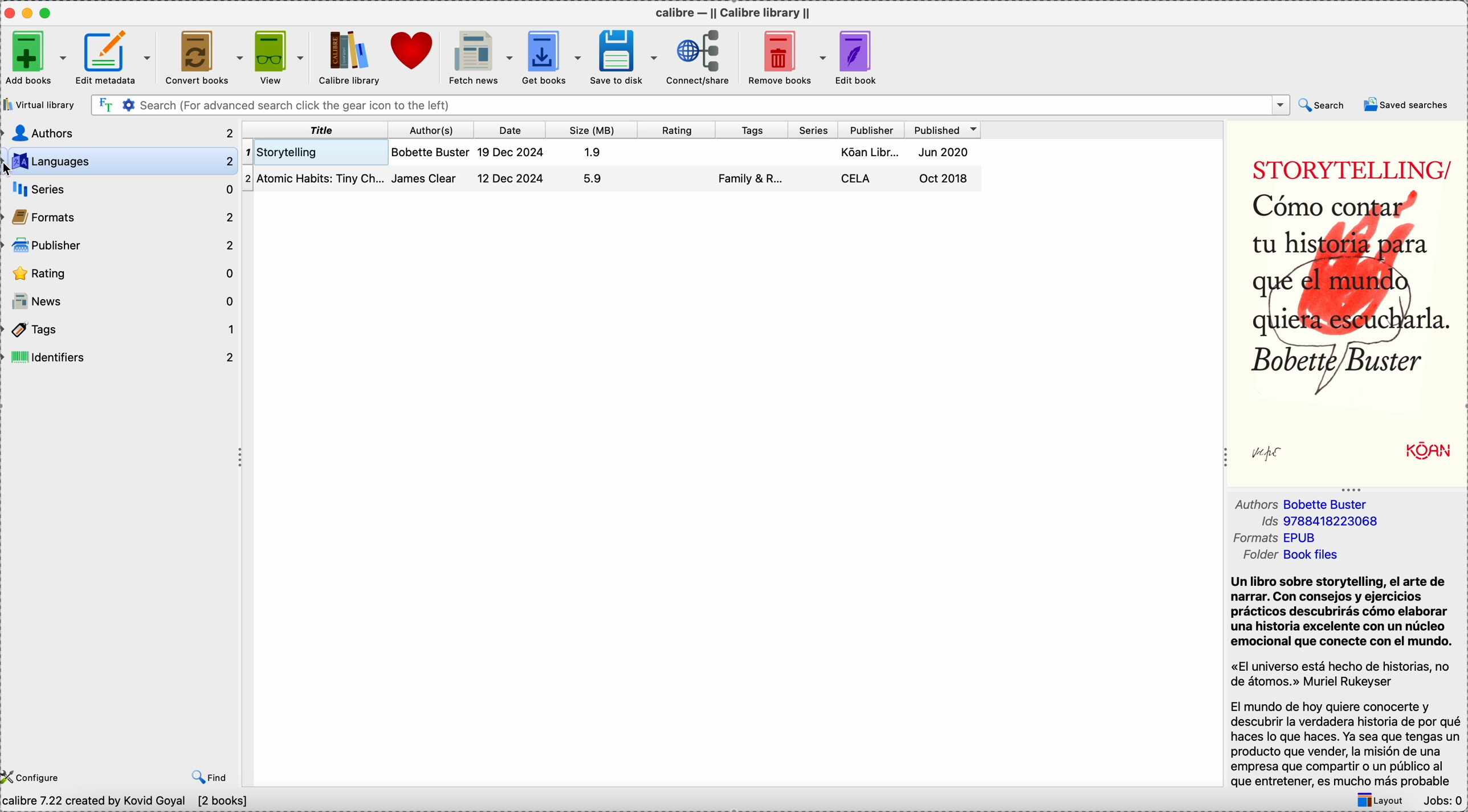 The image size is (1468, 812). I want to click on Calibre - || Calibre library ||, so click(737, 14).